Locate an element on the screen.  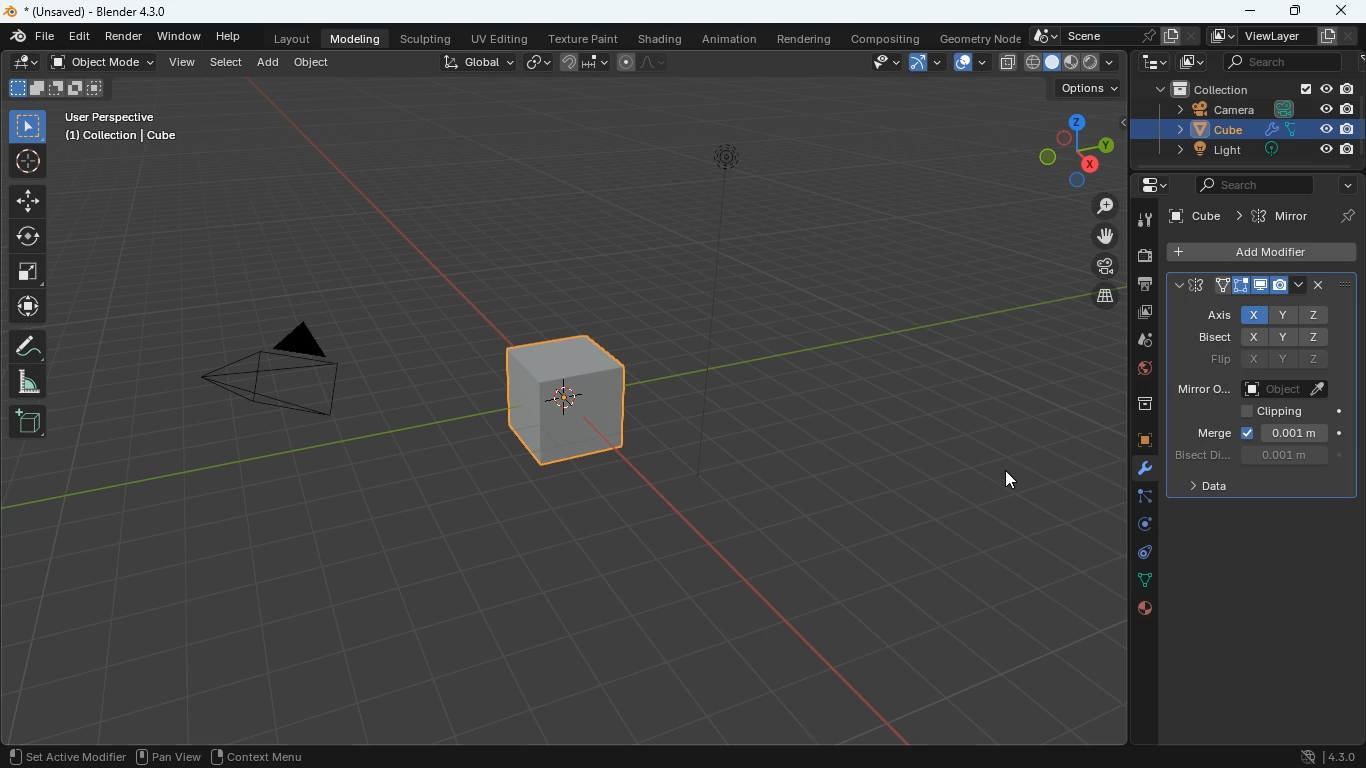
select is located at coordinates (228, 63).